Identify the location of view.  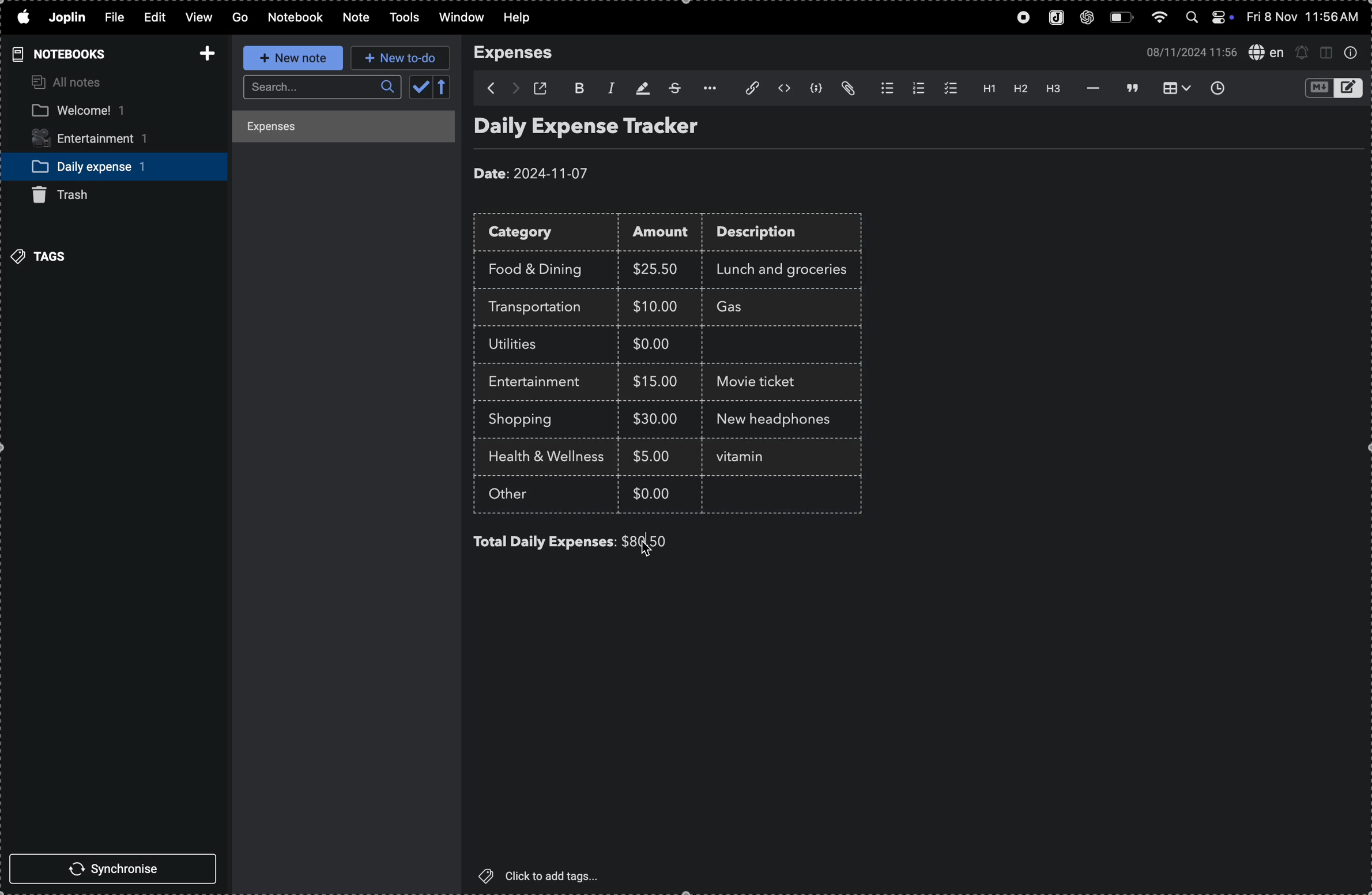
(196, 18).